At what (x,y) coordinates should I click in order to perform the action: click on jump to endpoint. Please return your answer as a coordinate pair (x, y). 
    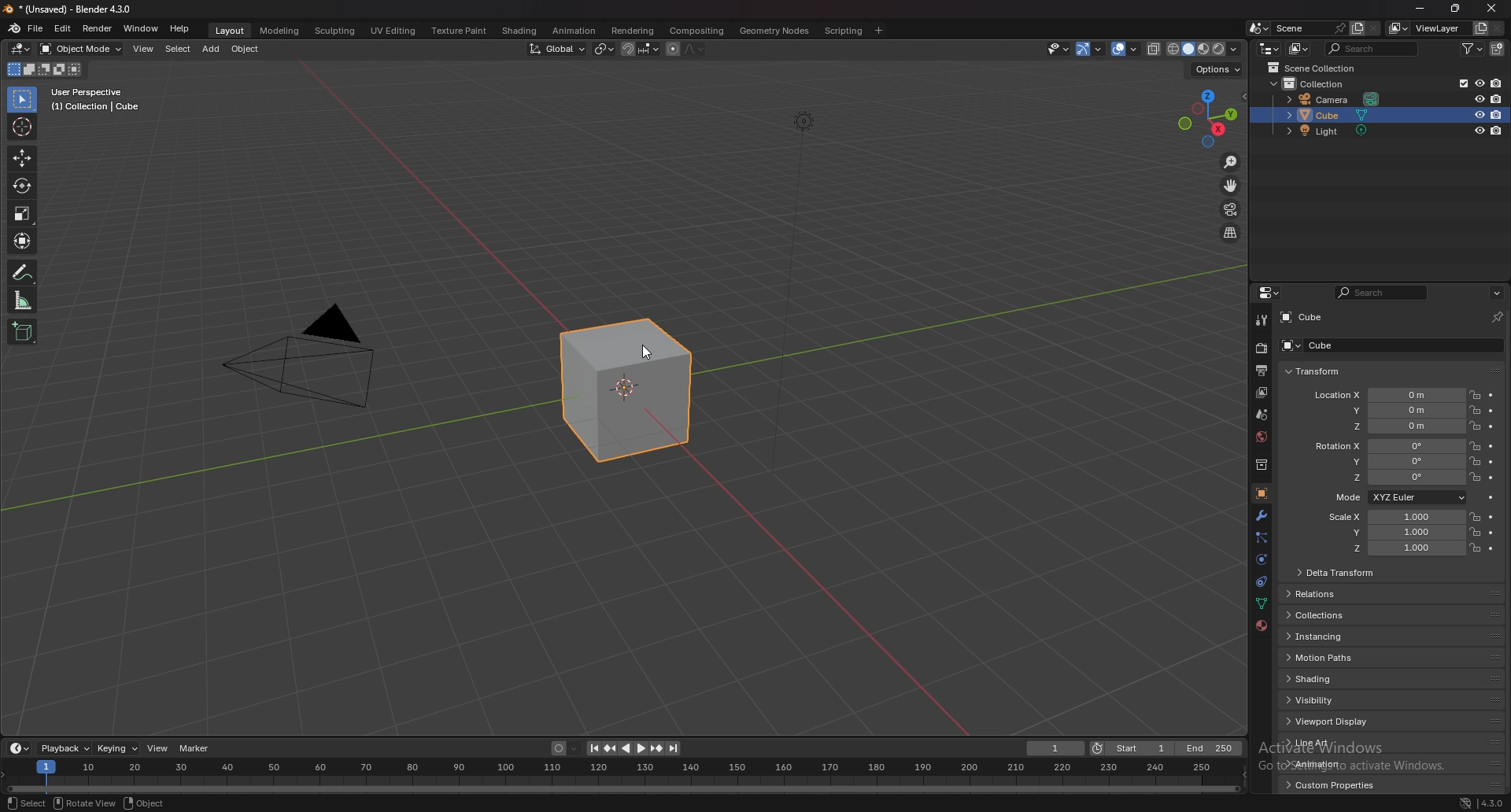
    Looking at the image, I should click on (674, 748).